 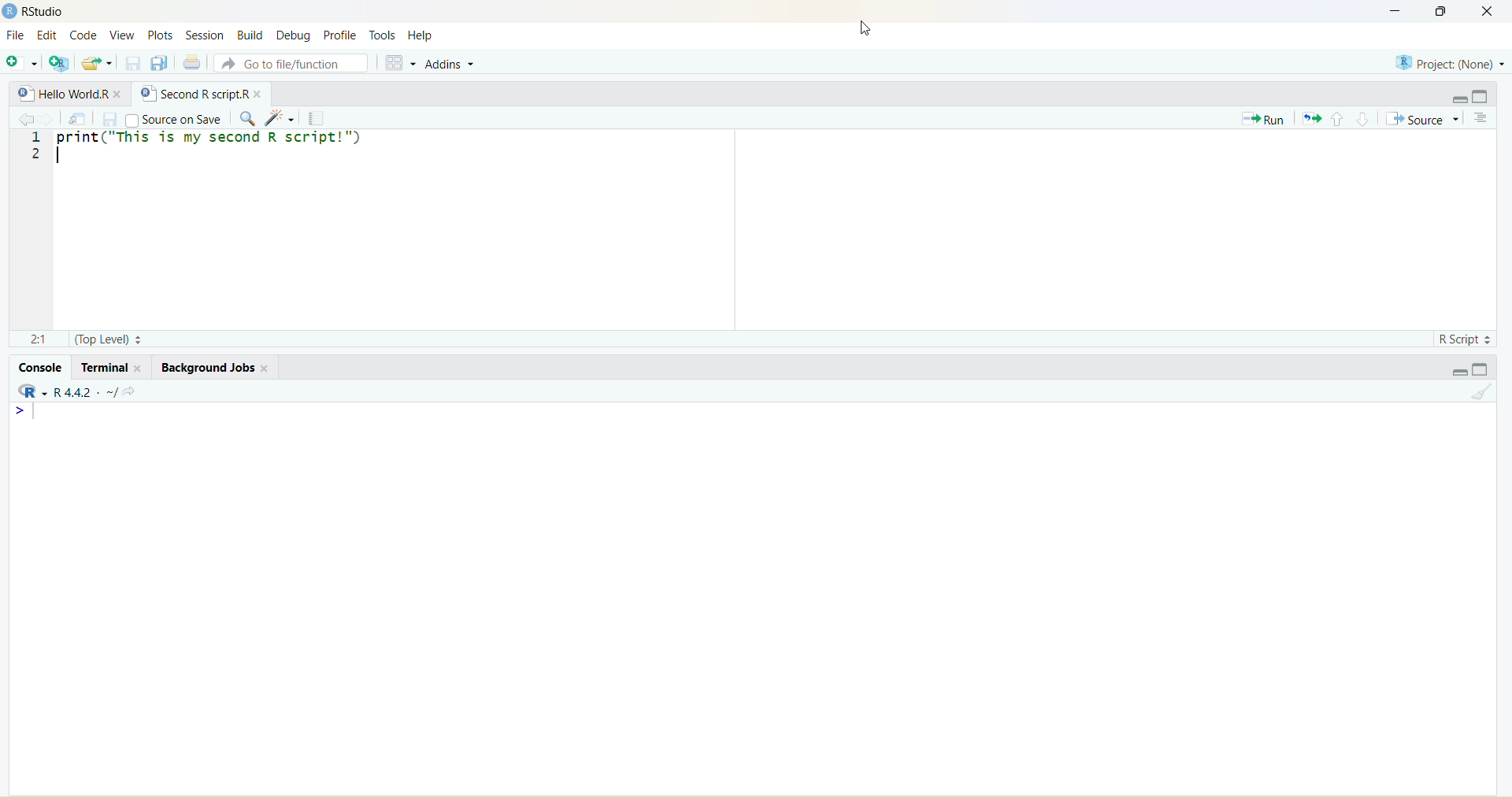 I want to click on Workspace panes, so click(x=398, y=62).